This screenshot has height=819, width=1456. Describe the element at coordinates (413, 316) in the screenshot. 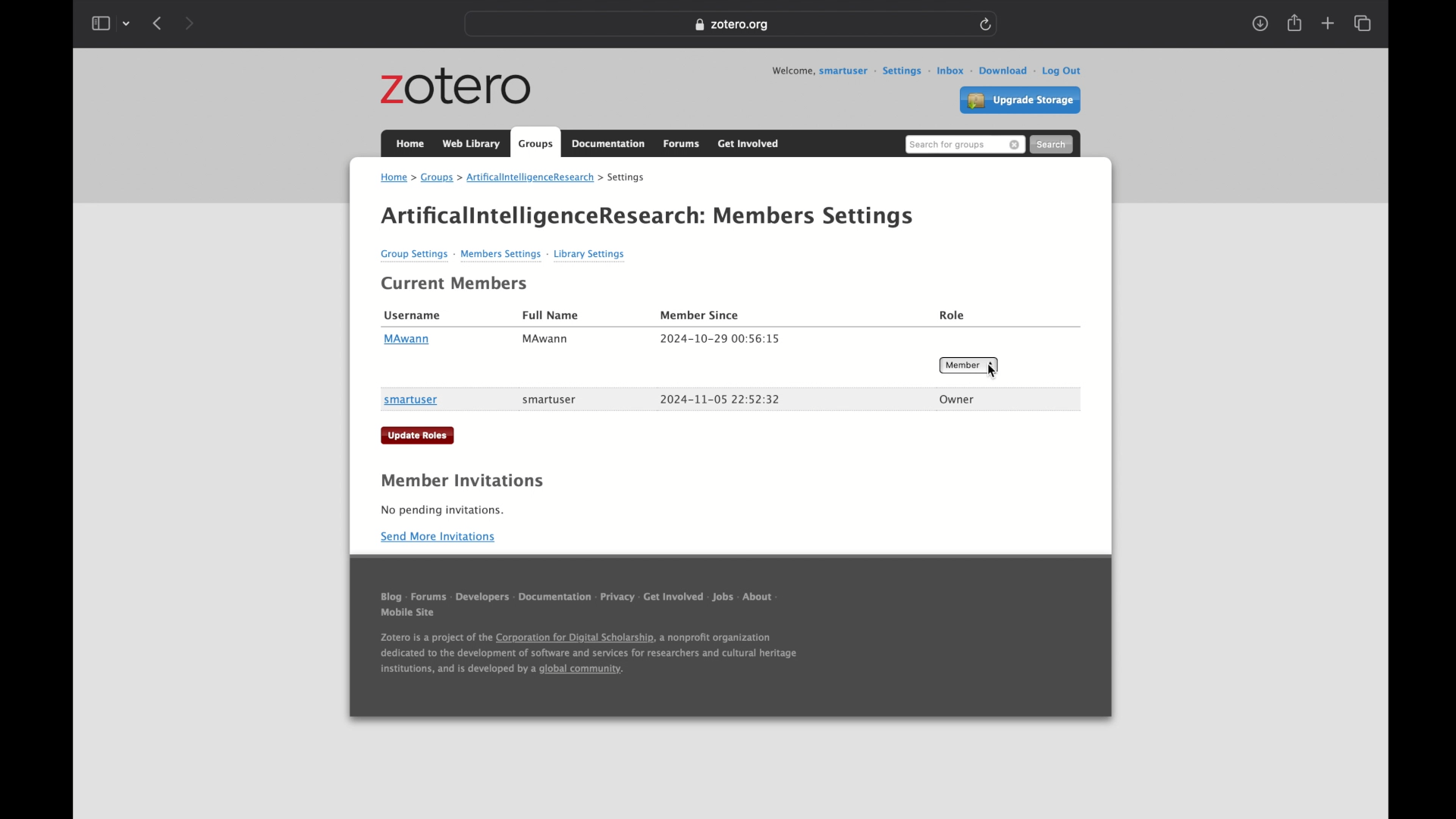

I see `username` at that location.